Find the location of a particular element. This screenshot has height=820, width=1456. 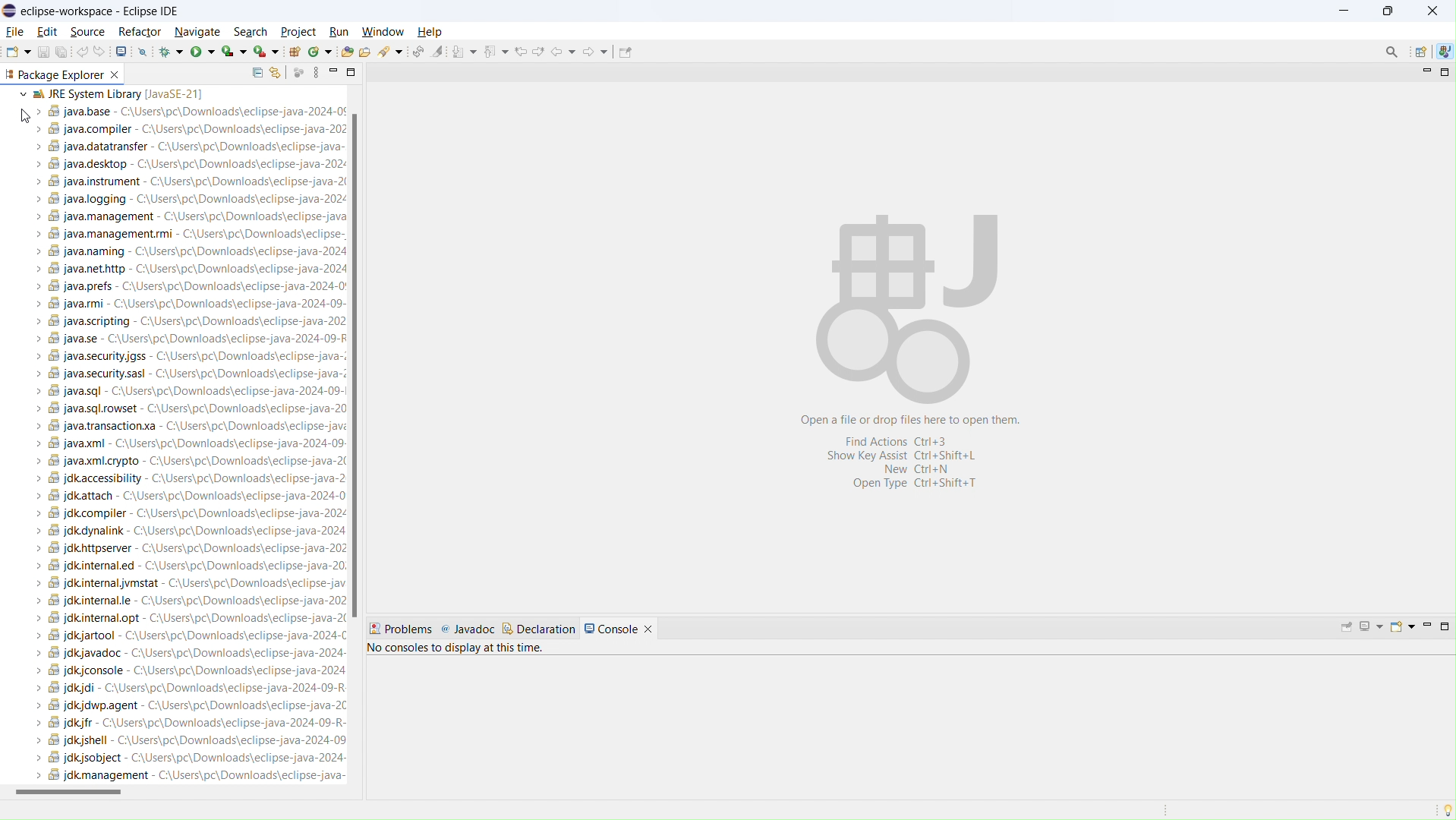

file is located at coordinates (15, 31).